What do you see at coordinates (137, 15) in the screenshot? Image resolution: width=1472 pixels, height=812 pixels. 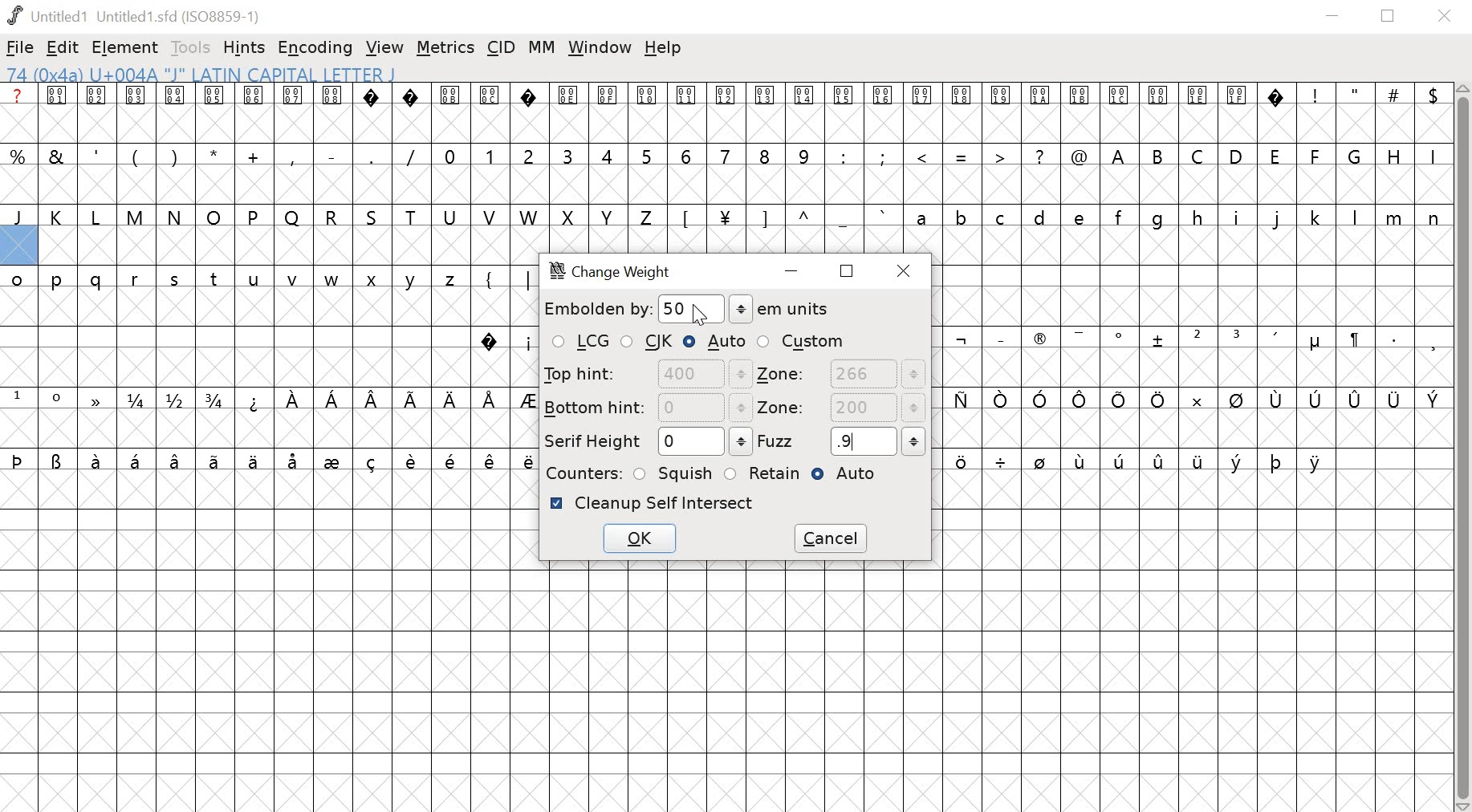 I see `Untitled1 (Untitled1.sfd(ISO8859-1)` at bounding box center [137, 15].